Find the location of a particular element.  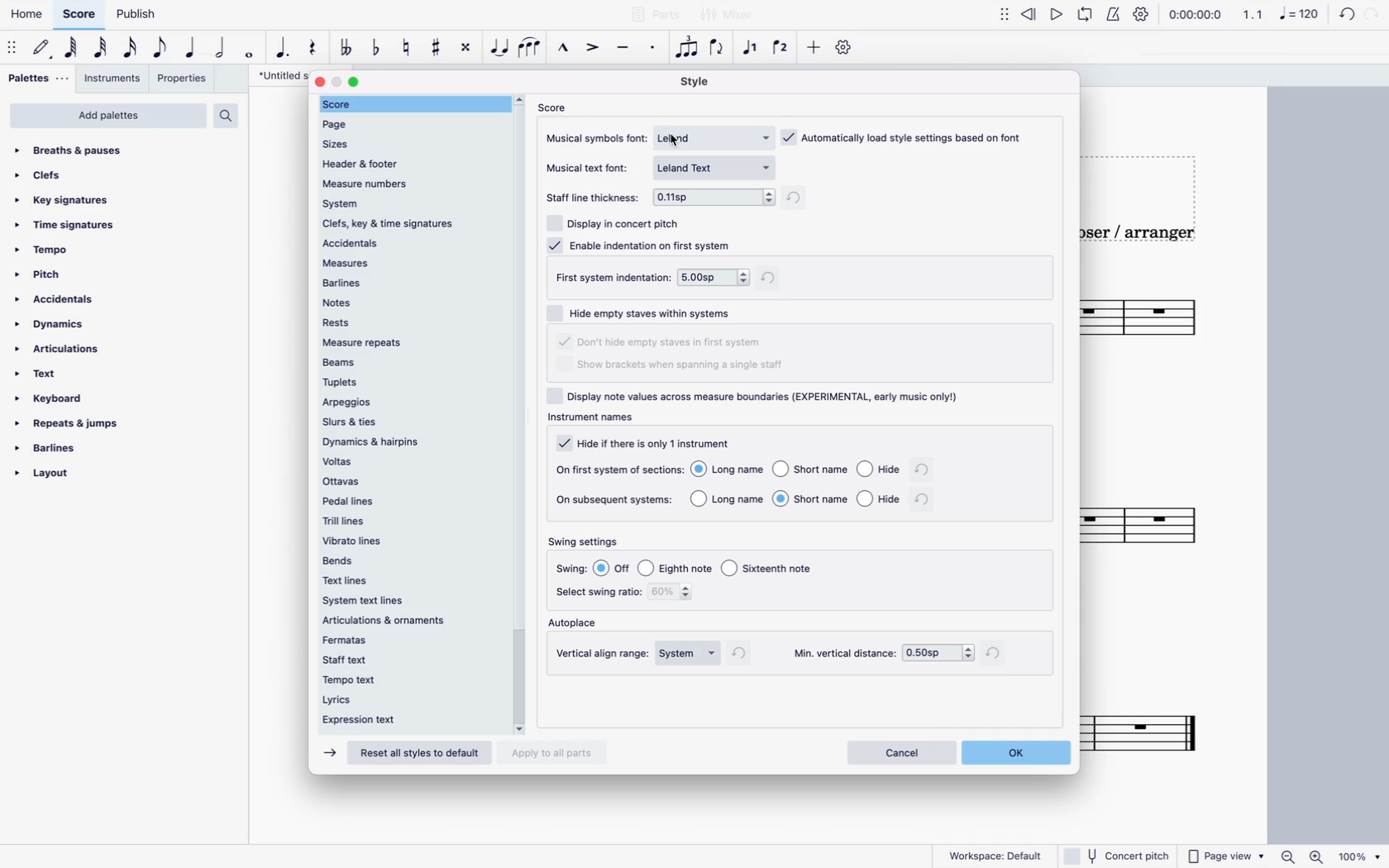

tempo is located at coordinates (46, 254).